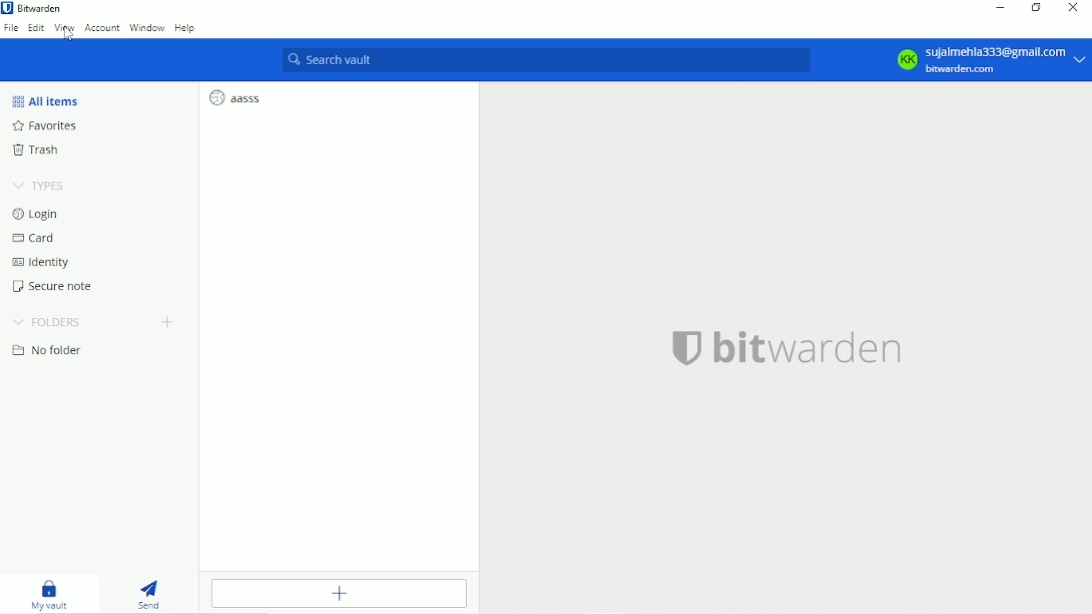 This screenshot has width=1092, height=614. I want to click on Types, so click(39, 186).